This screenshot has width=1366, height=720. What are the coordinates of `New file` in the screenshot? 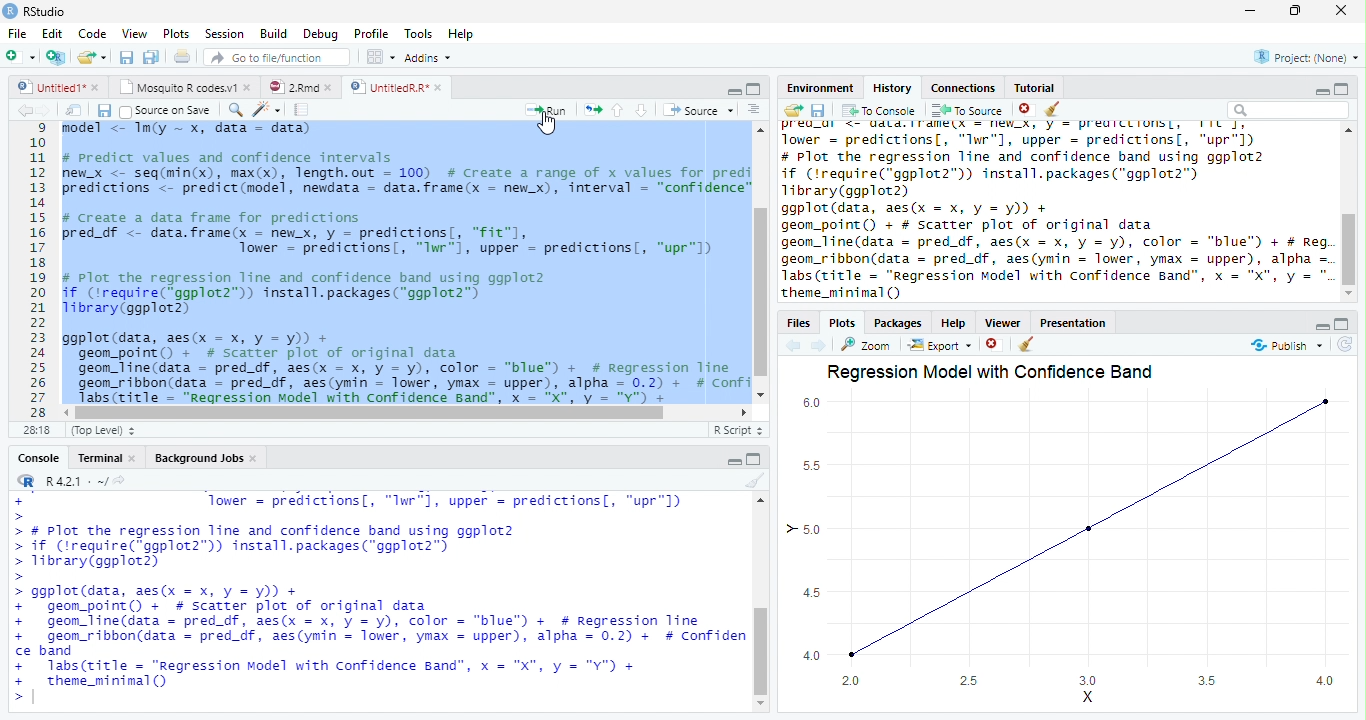 It's located at (20, 57).